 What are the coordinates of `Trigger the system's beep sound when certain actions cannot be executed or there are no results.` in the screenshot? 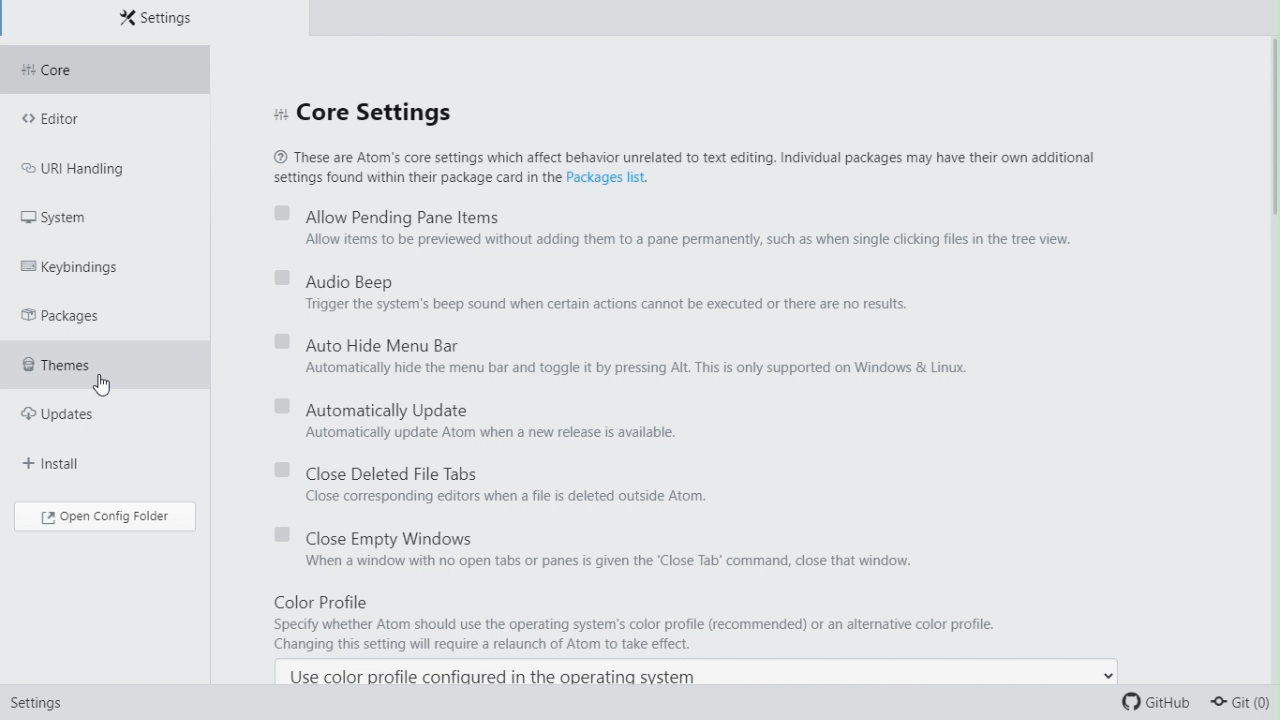 It's located at (600, 304).